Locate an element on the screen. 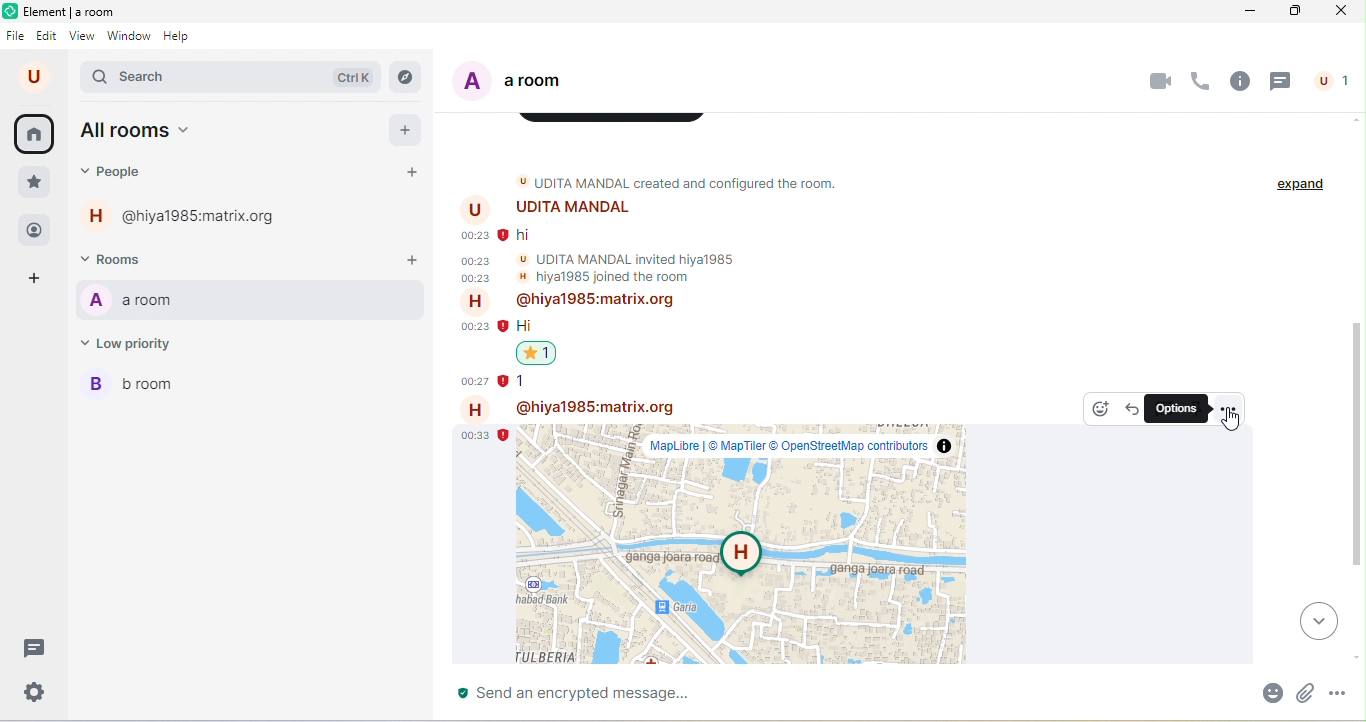  react is located at coordinates (1102, 408).